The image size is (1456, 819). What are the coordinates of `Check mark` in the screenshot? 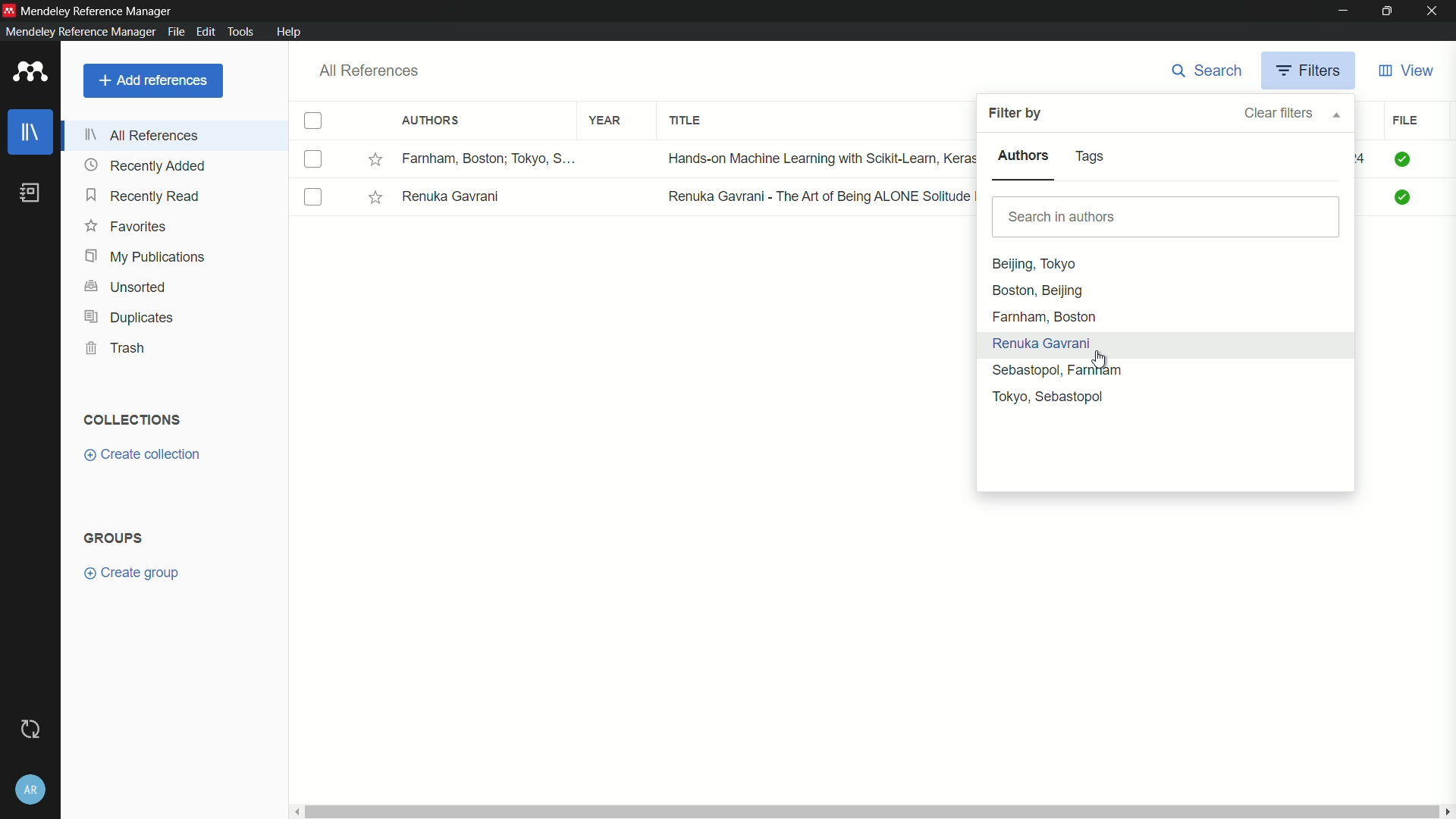 It's located at (1404, 159).